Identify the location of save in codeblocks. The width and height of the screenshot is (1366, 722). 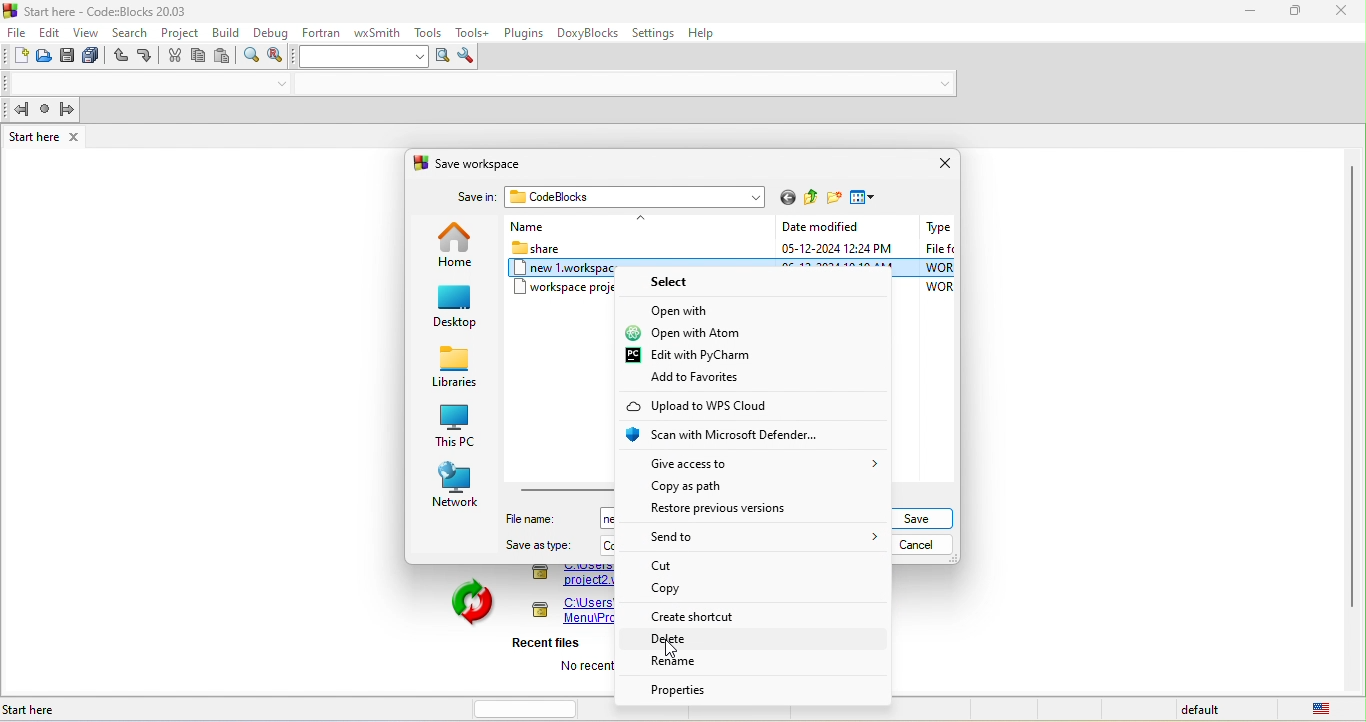
(605, 198).